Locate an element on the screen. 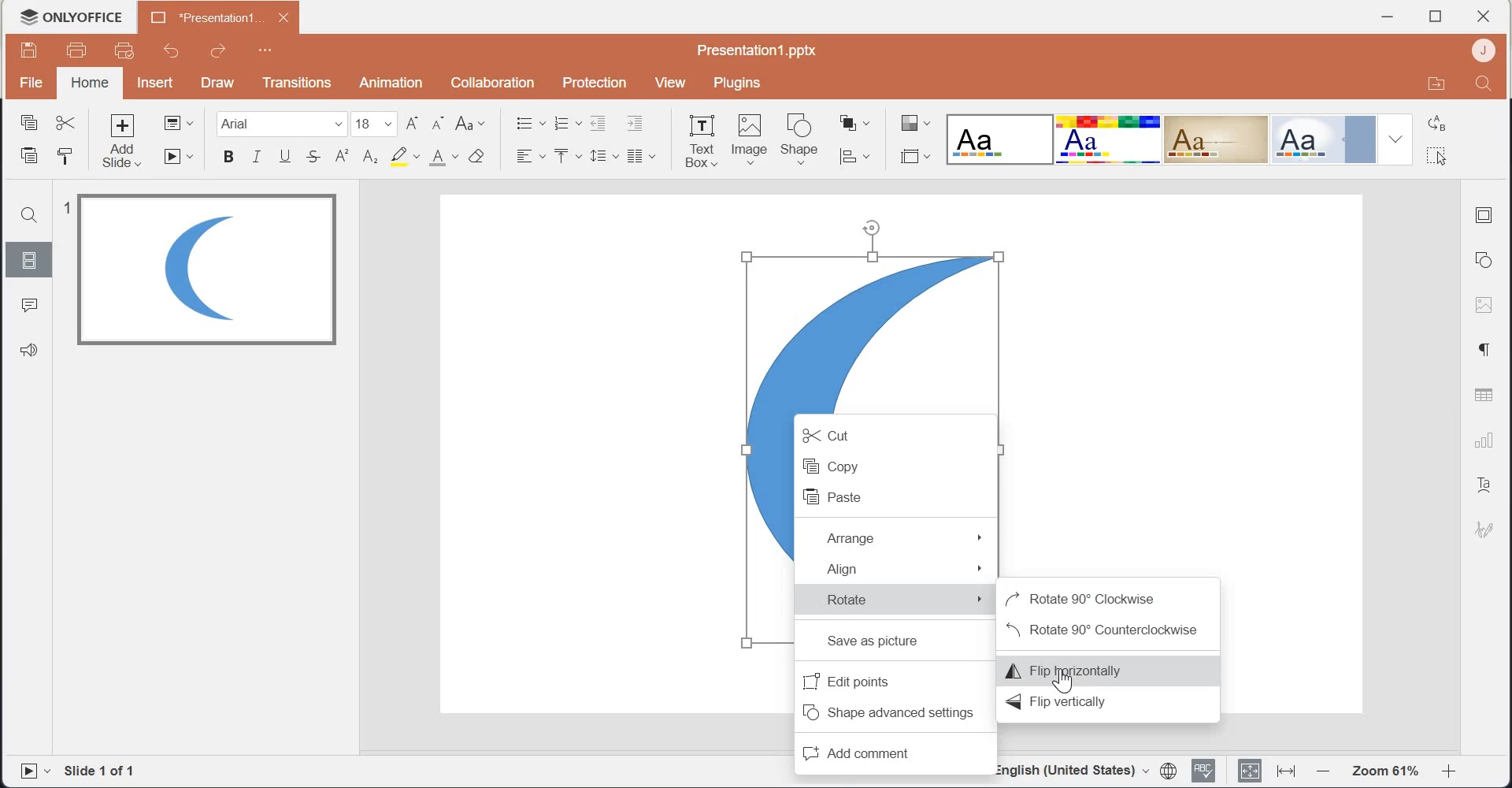 This screenshot has height=788, width=1512. Text is located at coordinates (1488, 483).